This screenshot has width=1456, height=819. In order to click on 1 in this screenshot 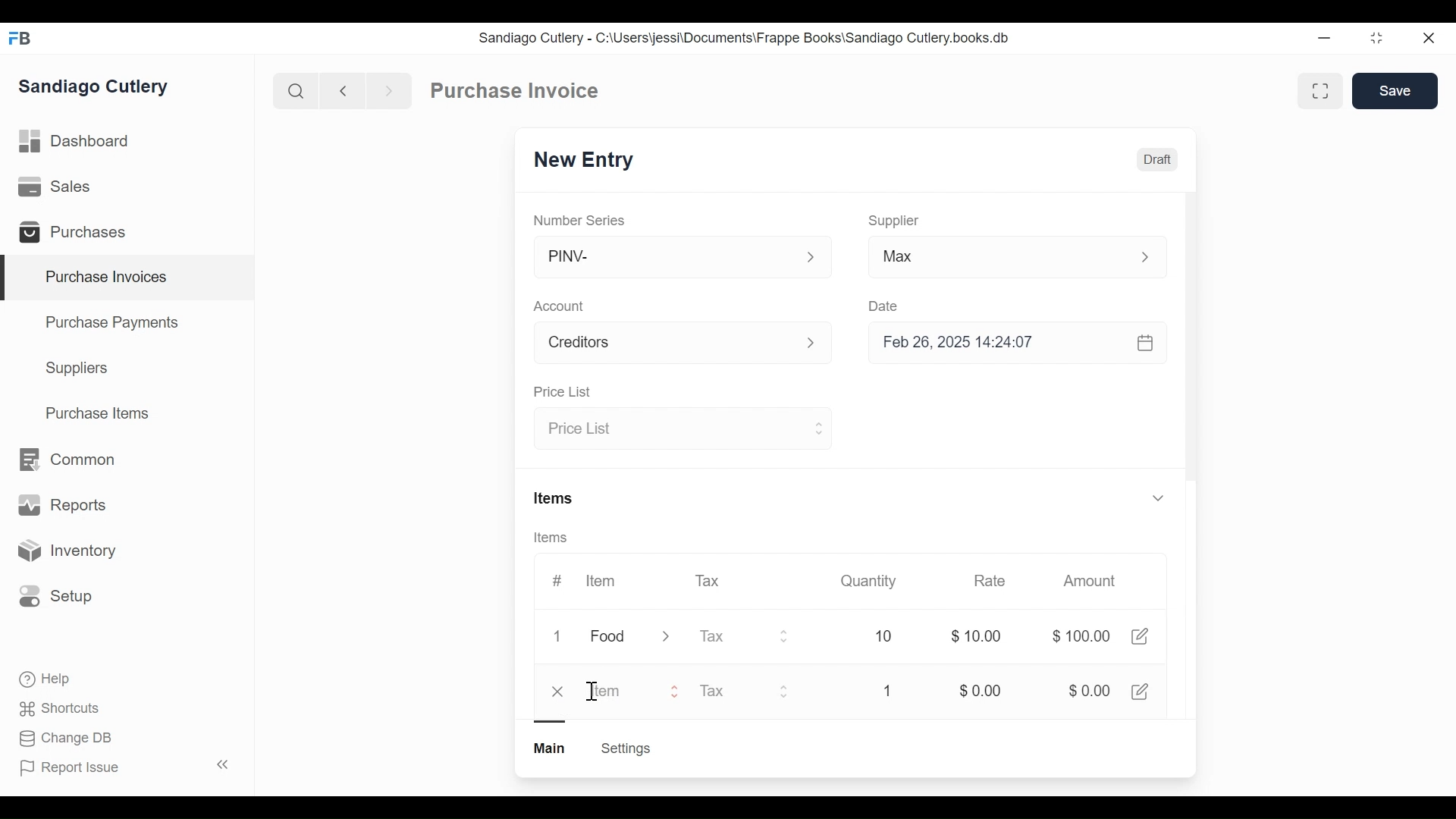, I will do `click(561, 637)`.